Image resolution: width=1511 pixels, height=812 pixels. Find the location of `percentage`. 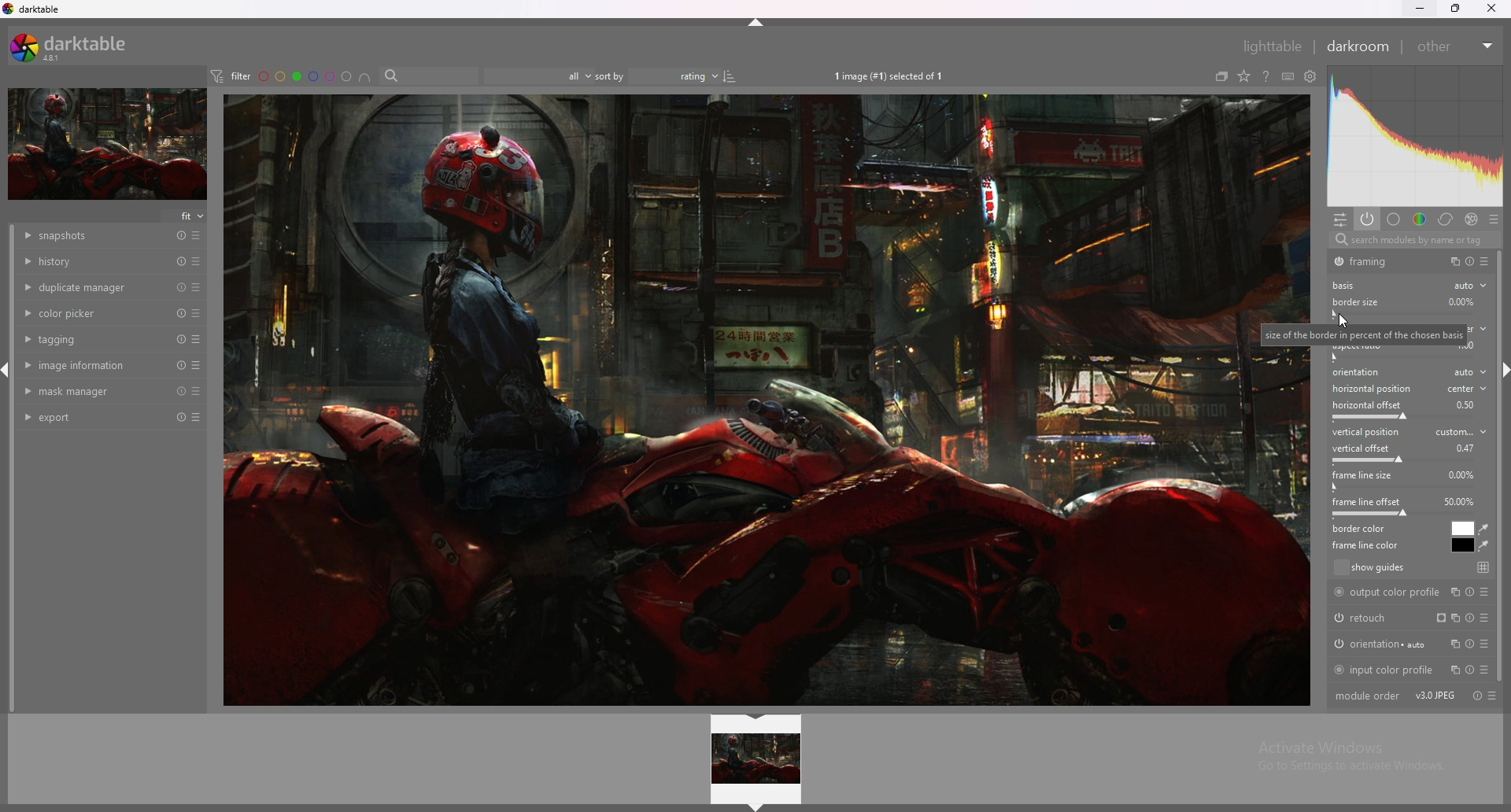

percentage is located at coordinates (1469, 404).